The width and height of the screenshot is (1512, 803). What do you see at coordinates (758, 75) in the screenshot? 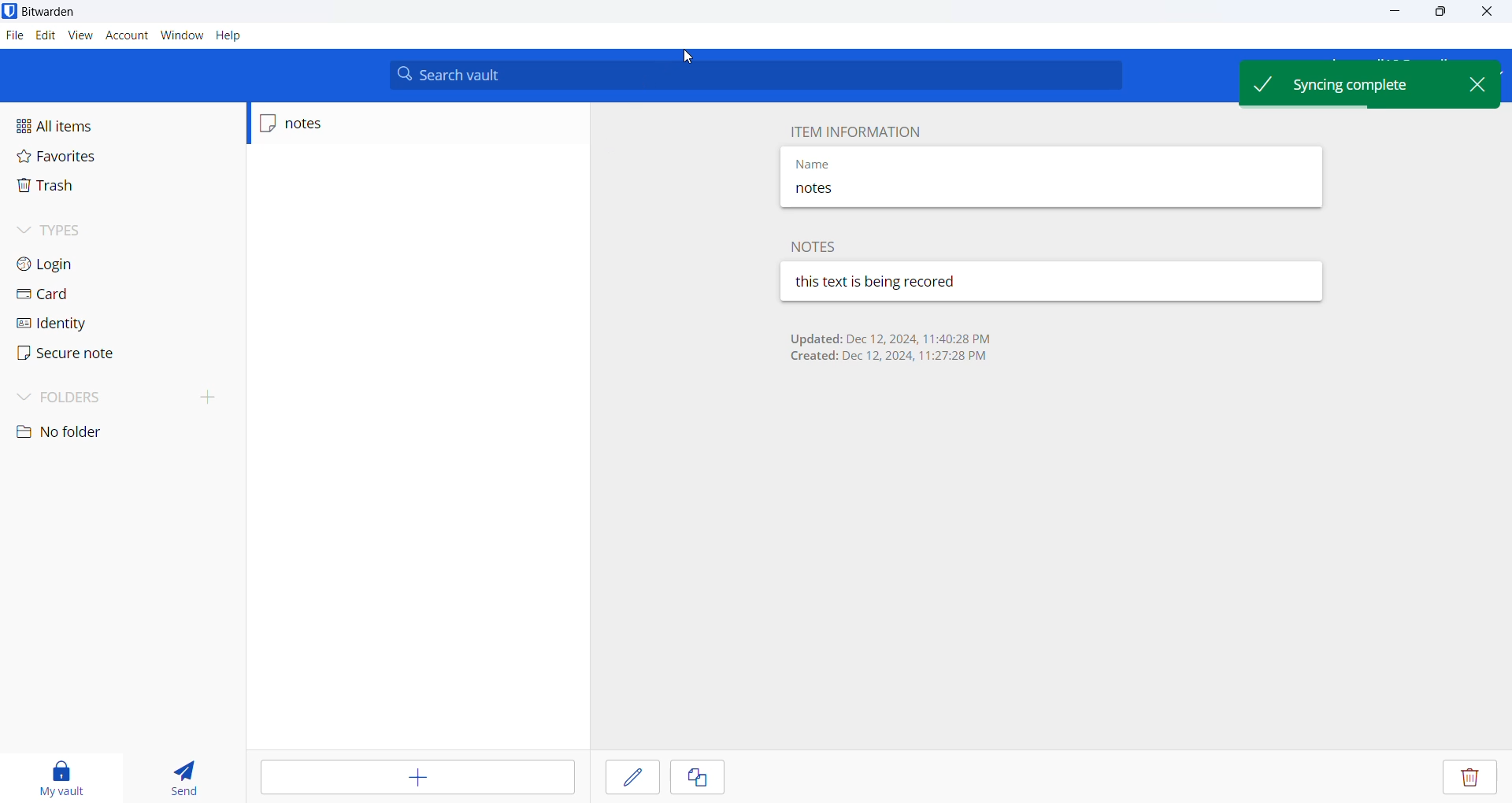
I see `search vault` at bounding box center [758, 75].